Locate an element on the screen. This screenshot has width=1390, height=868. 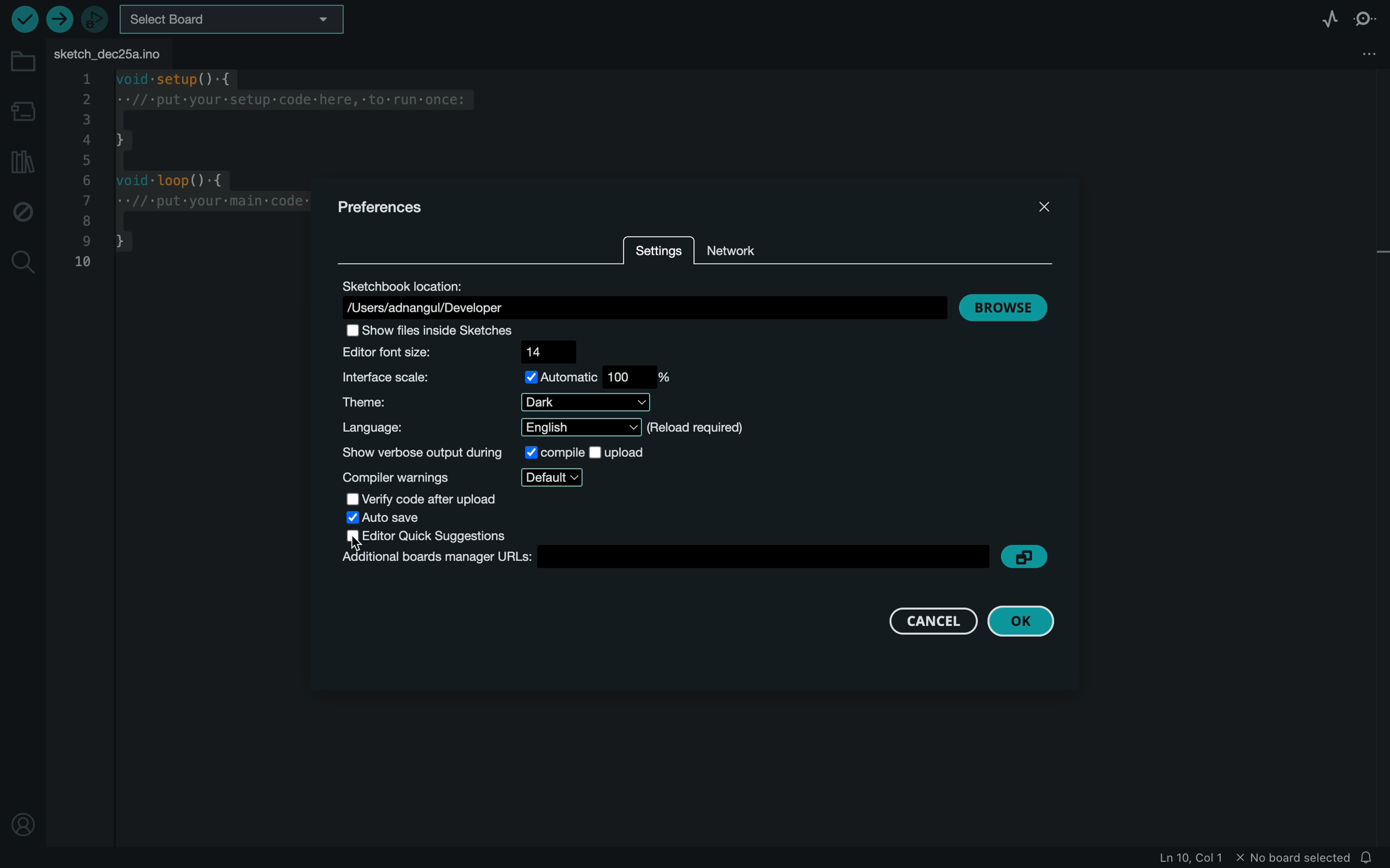
cancel is located at coordinates (920, 619).